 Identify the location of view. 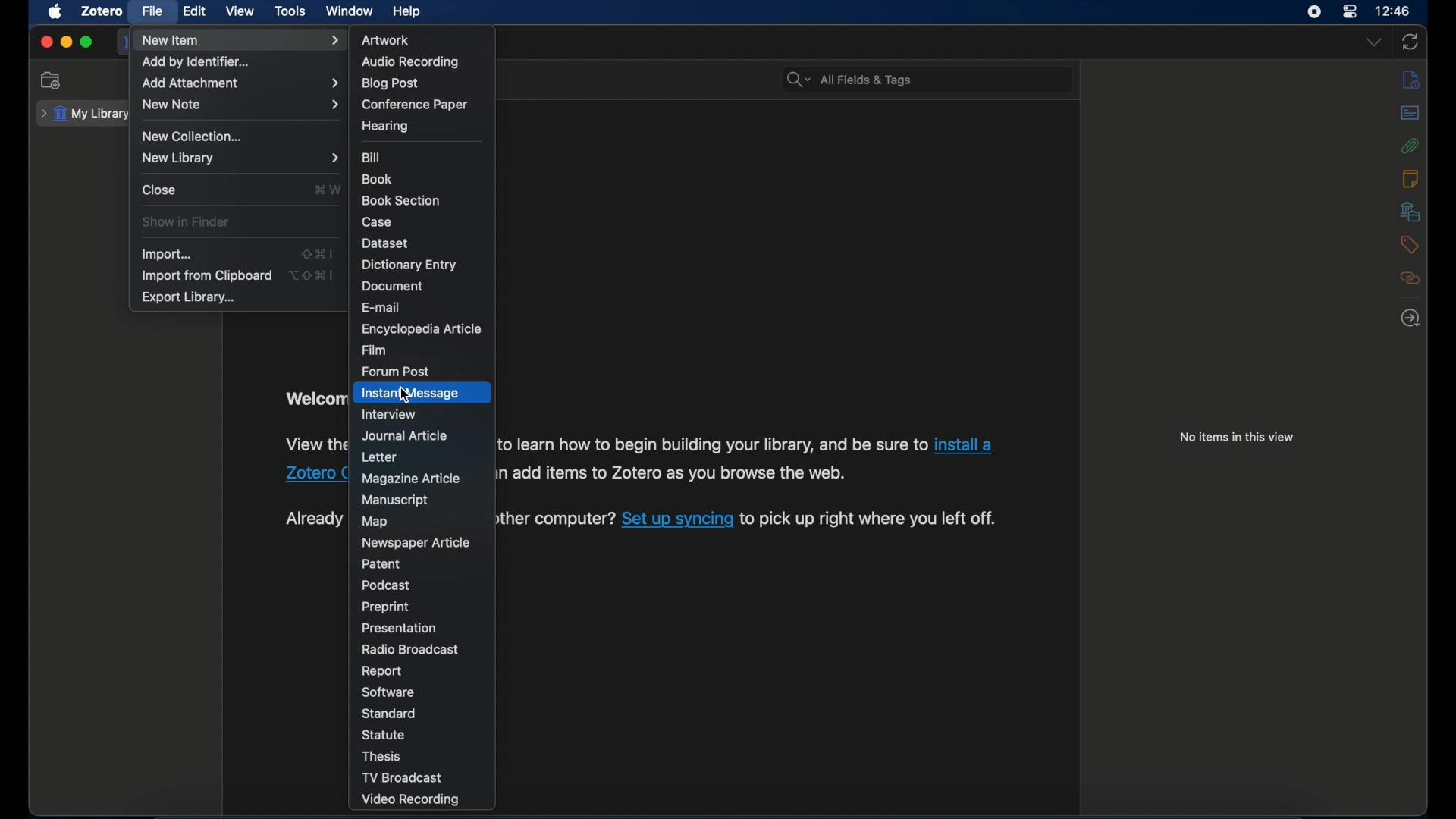
(240, 12).